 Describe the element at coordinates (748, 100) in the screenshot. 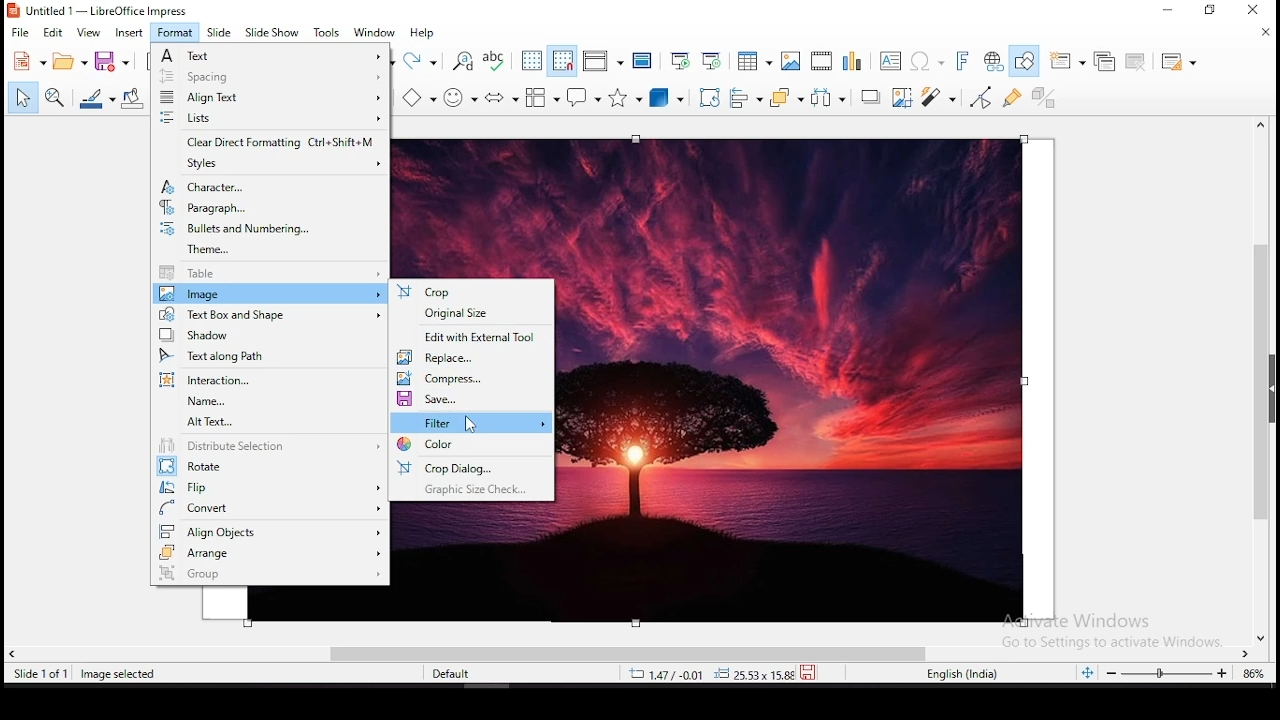

I see `align objects` at that location.